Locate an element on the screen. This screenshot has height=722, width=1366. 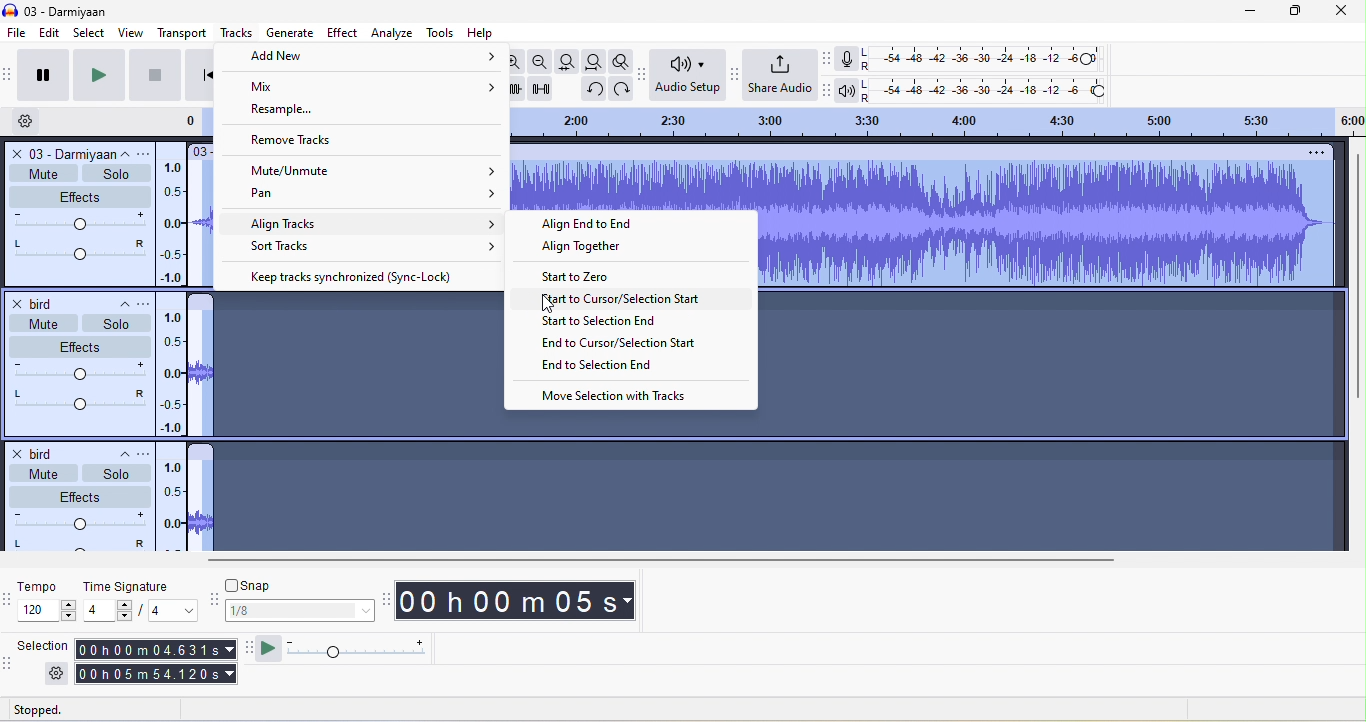
open menu is located at coordinates (149, 154).